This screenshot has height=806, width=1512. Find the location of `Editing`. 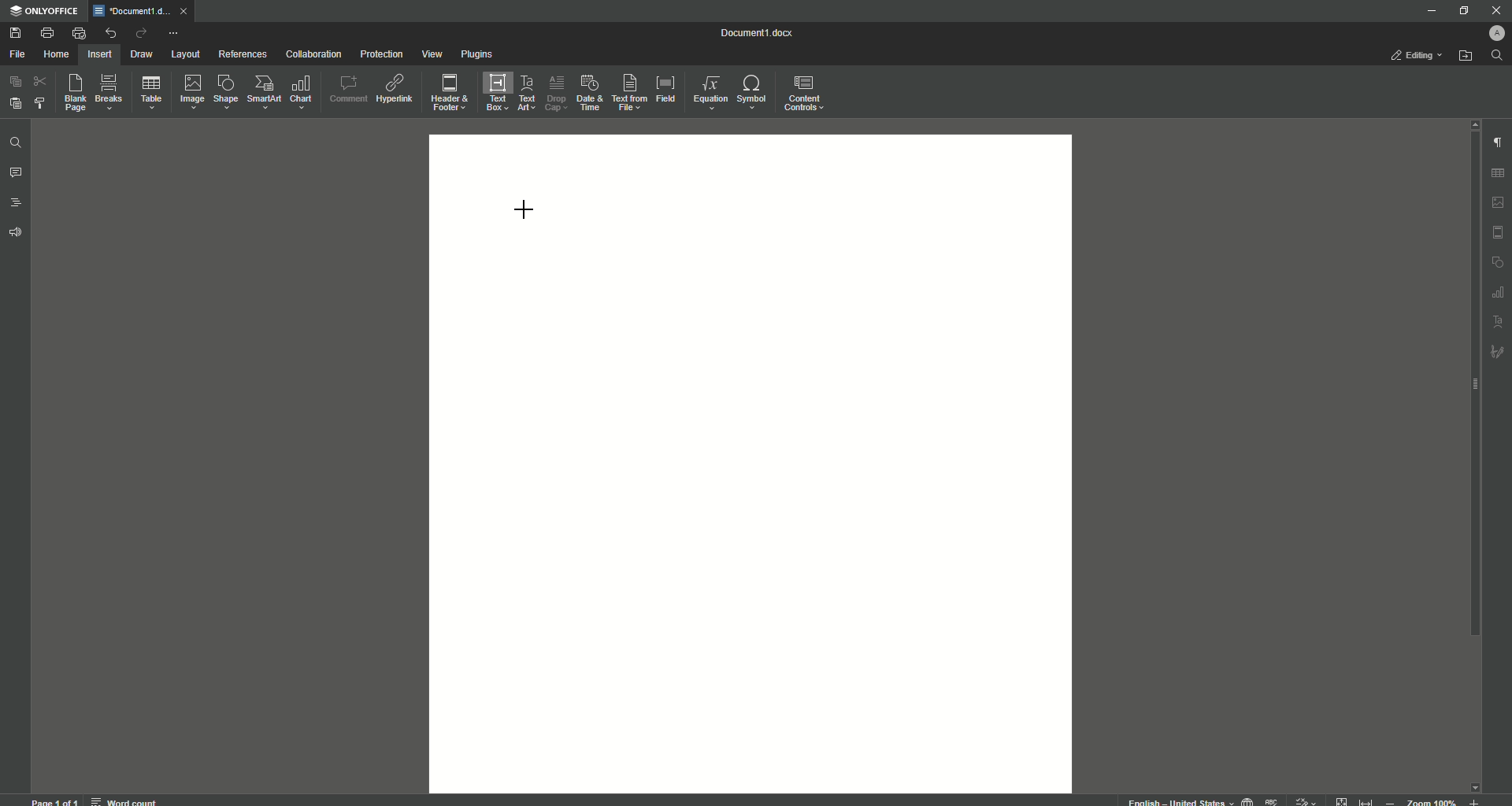

Editing is located at coordinates (1419, 55).